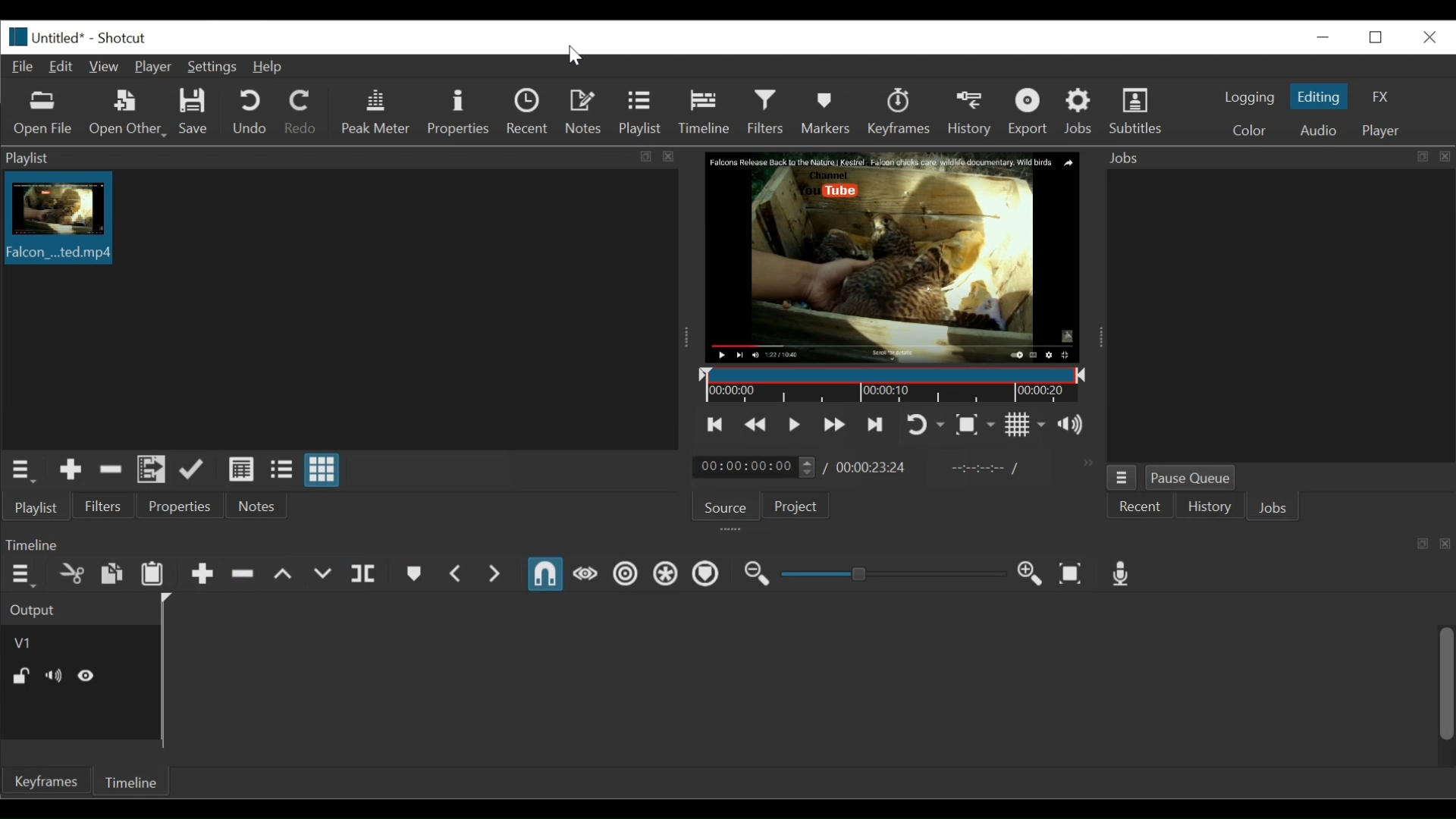 The image size is (1456, 819). I want to click on 00:00:23:24, so click(872, 467).